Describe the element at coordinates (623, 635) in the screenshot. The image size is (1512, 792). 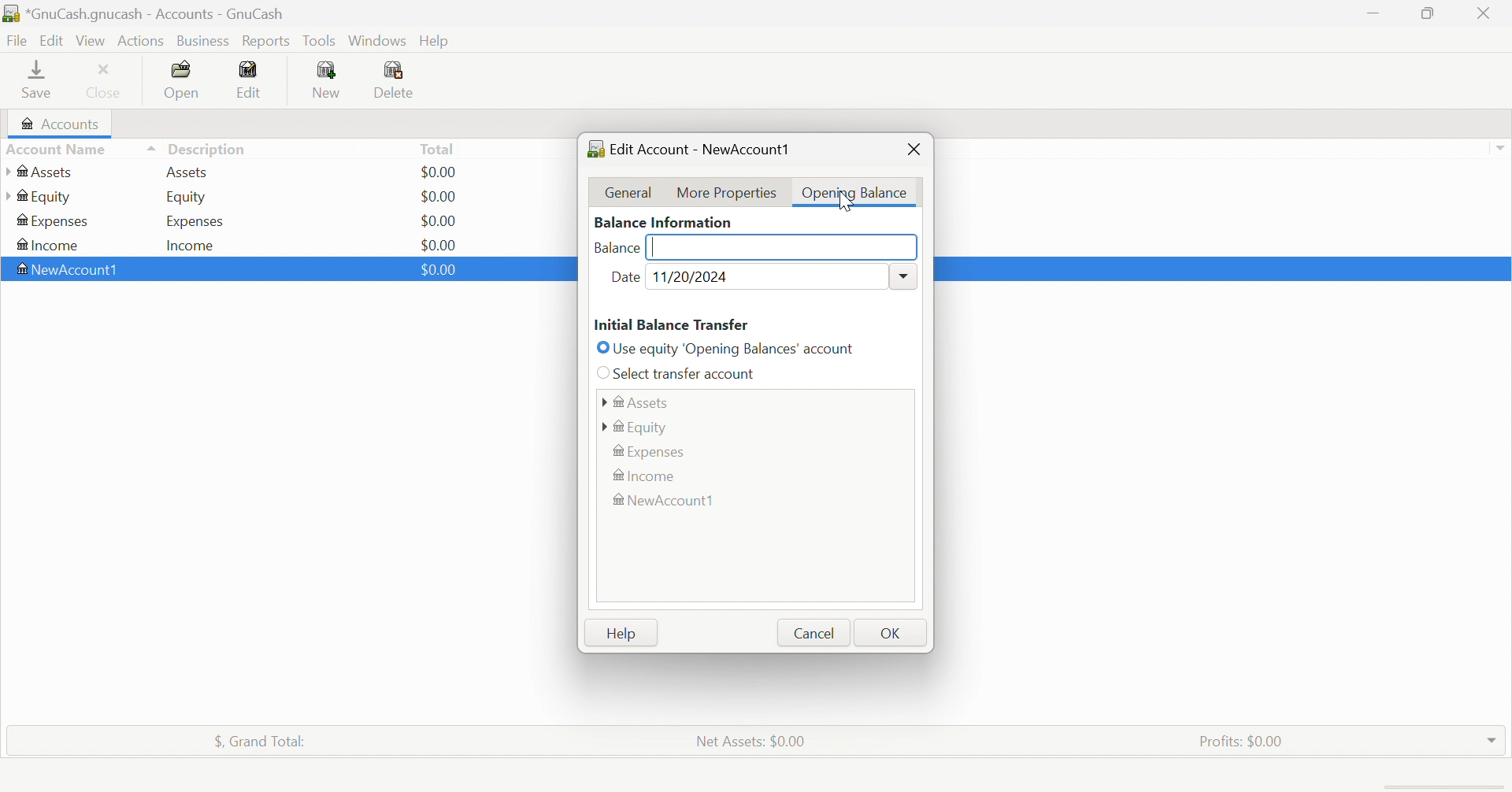
I see `Help` at that location.